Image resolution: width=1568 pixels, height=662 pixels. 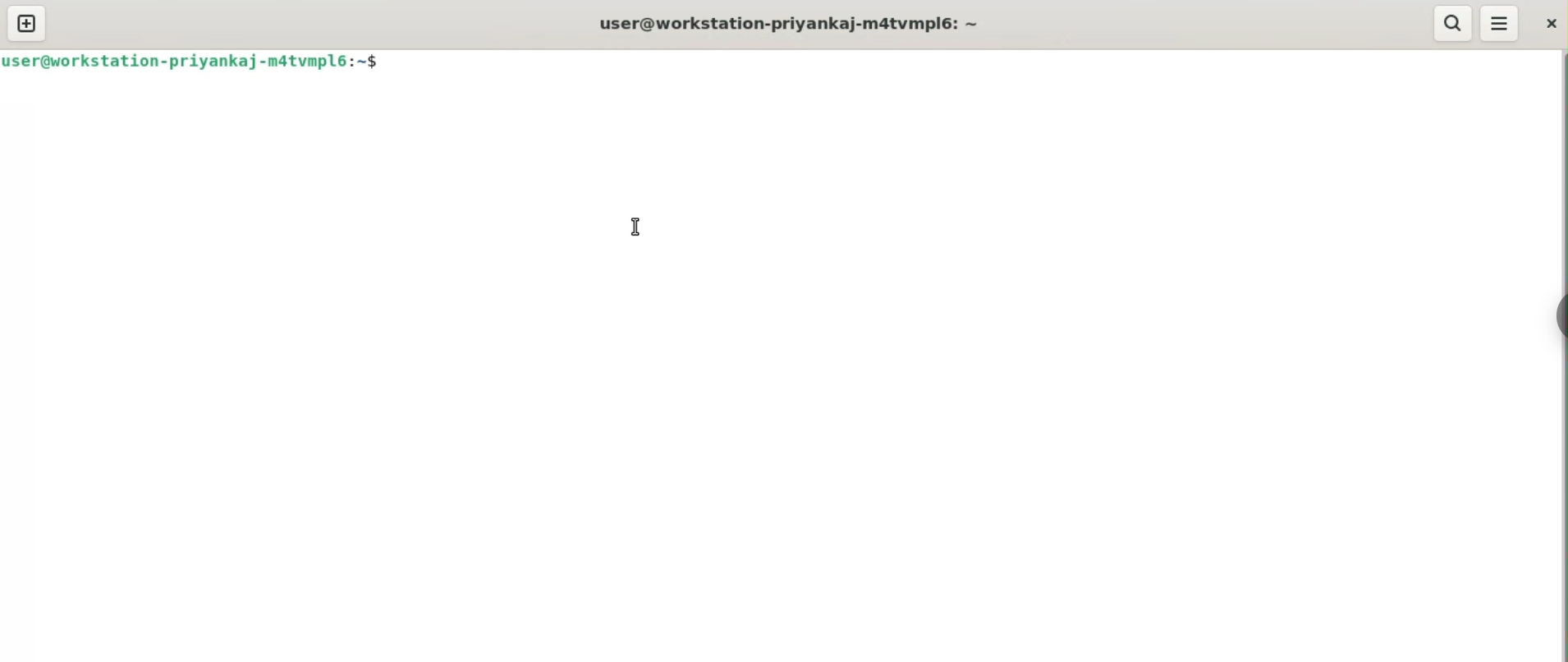 I want to click on cursor, so click(x=637, y=227).